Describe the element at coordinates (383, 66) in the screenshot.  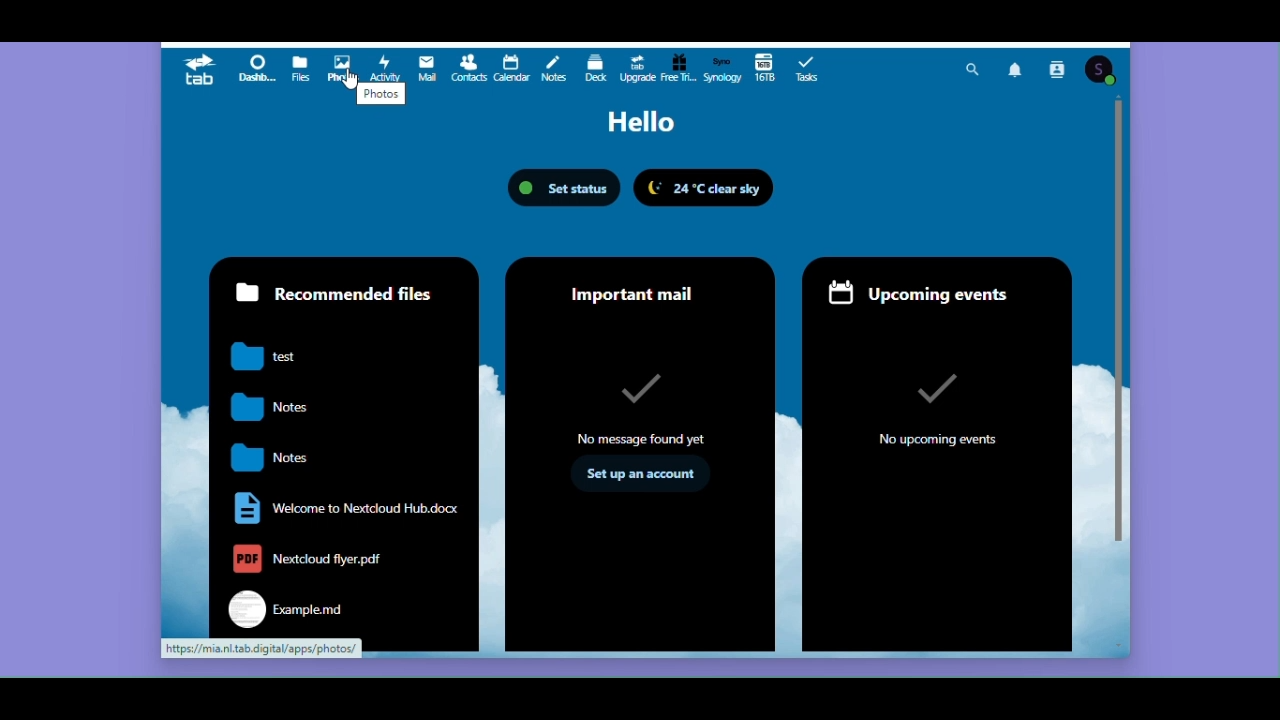
I see `Activity` at that location.